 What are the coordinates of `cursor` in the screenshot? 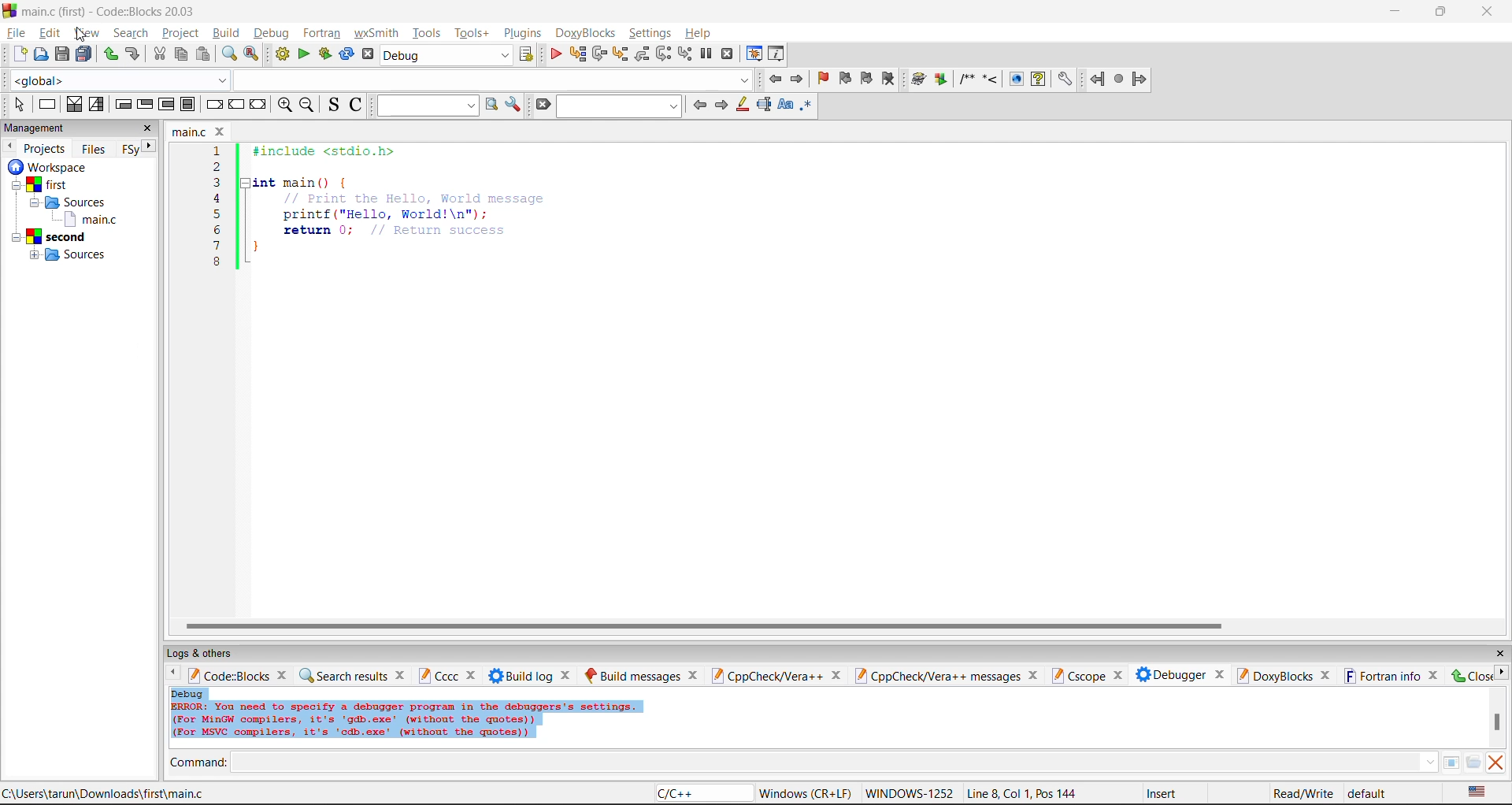 It's located at (83, 35).